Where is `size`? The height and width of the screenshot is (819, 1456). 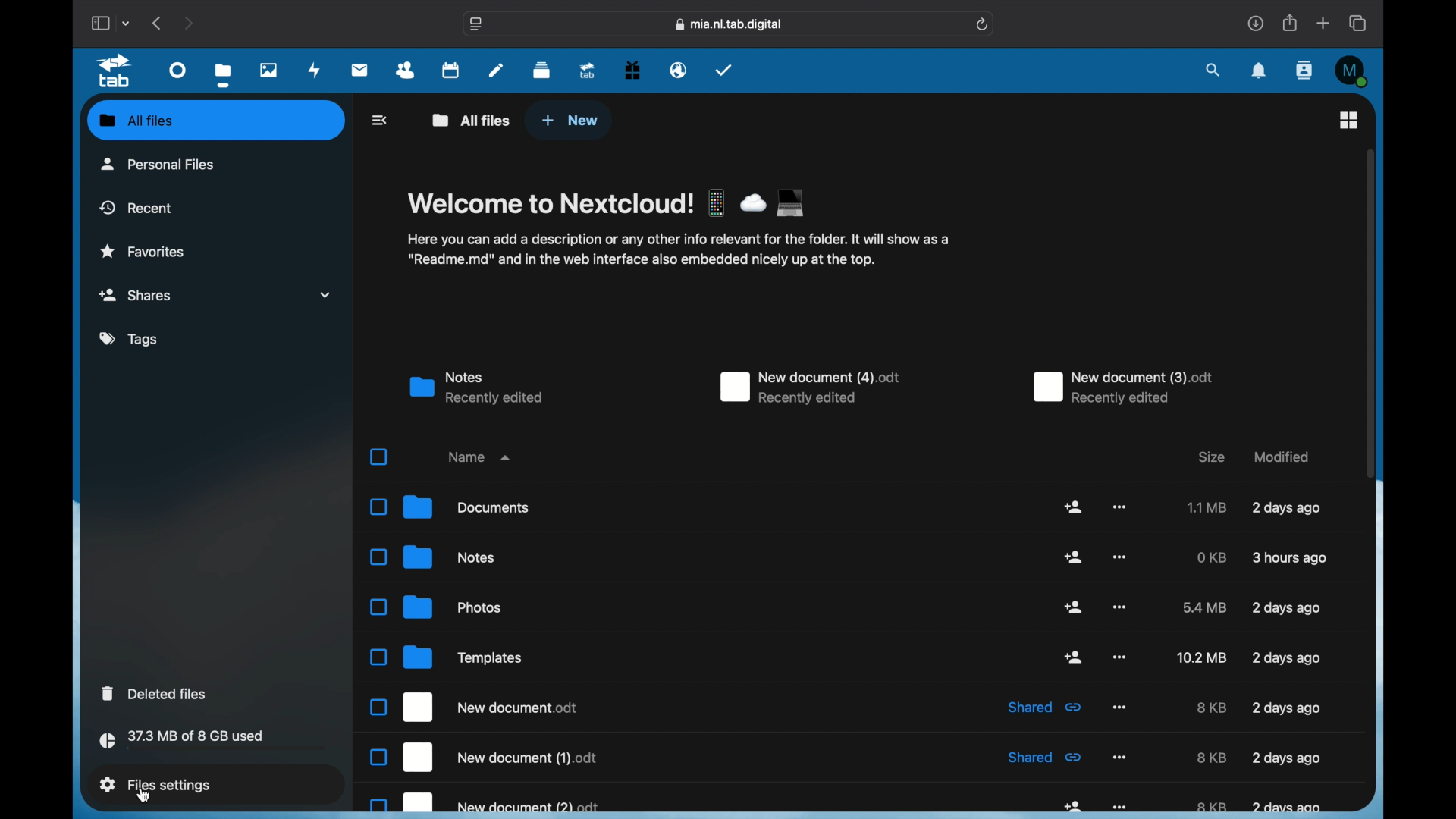
size is located at coordinates (1212, 757).